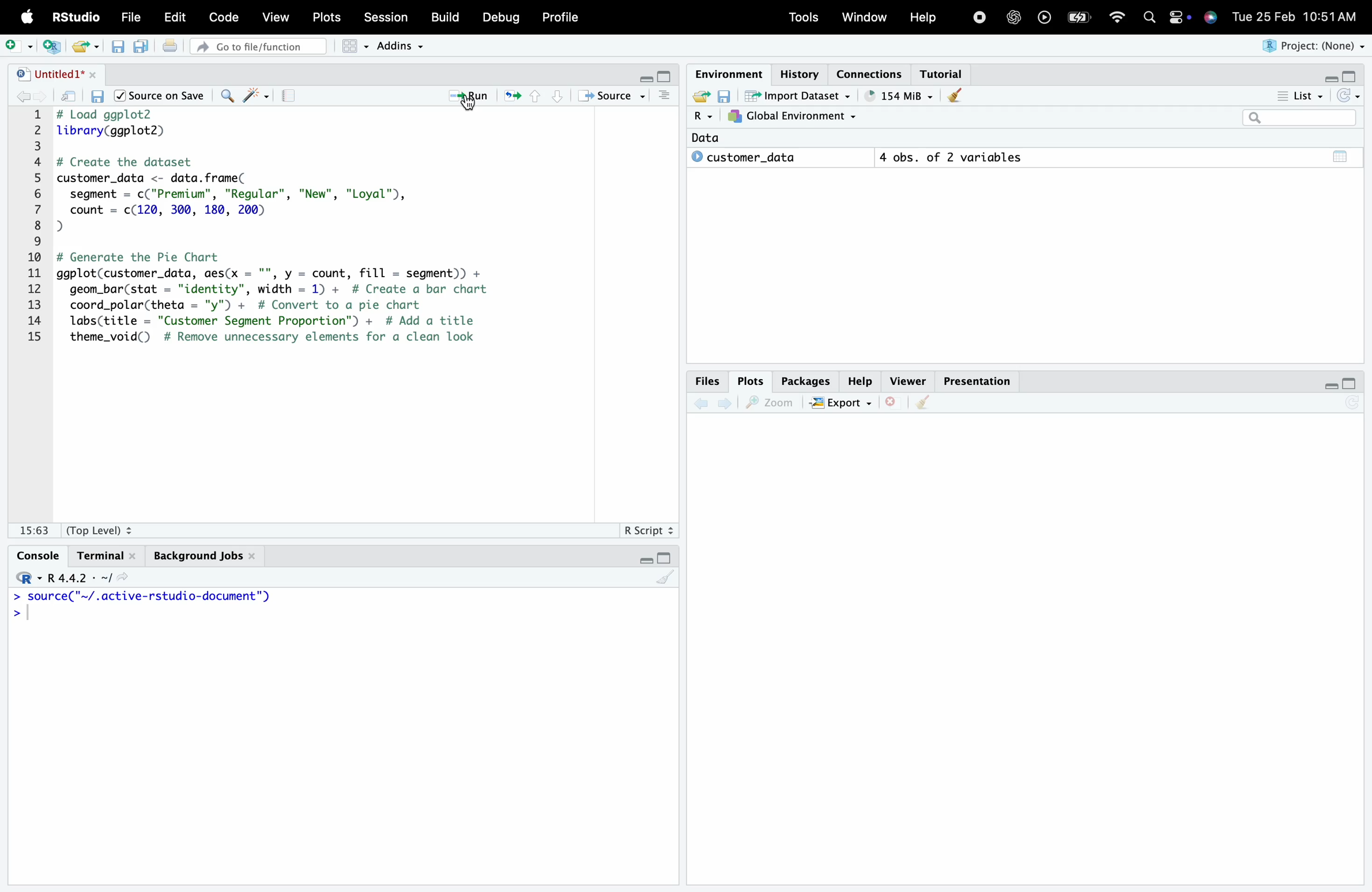 The image size is (1372, 892). Describe the element at coordinates (1178, 19) in the screenshot. I see `settings` at that location.